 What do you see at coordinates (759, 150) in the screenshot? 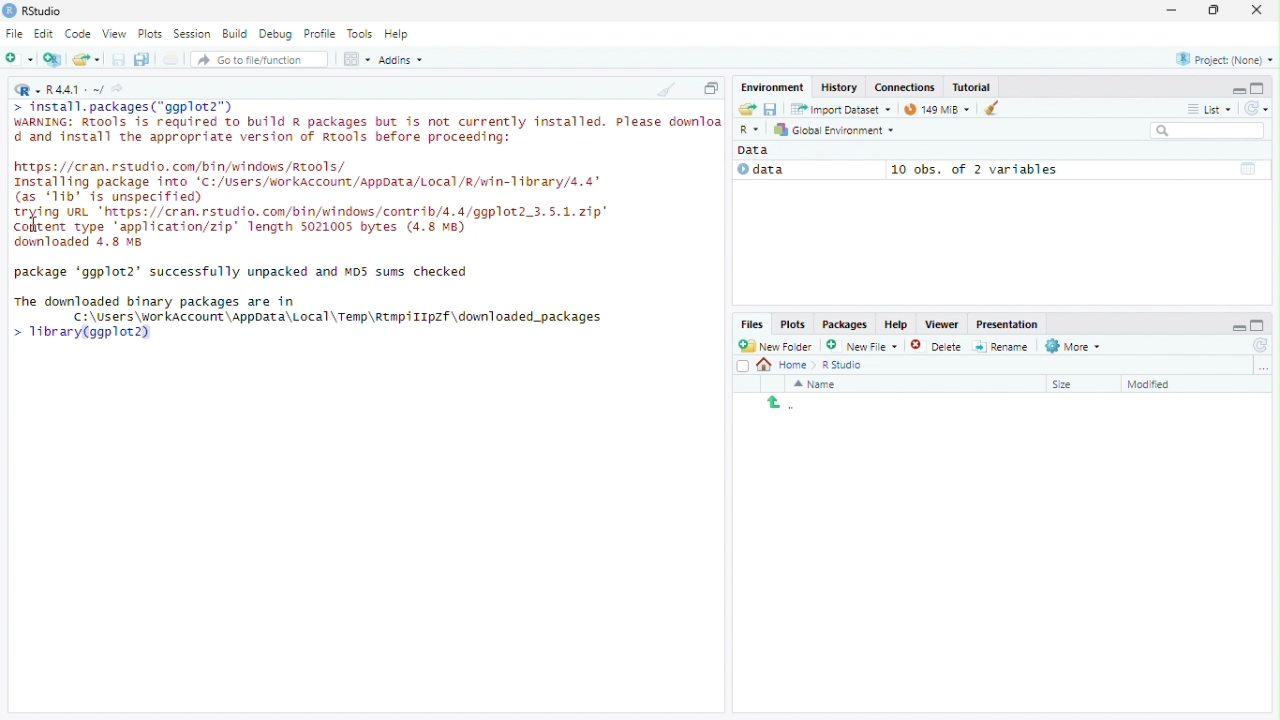
I see `Data` at bounding box center [759, 150].